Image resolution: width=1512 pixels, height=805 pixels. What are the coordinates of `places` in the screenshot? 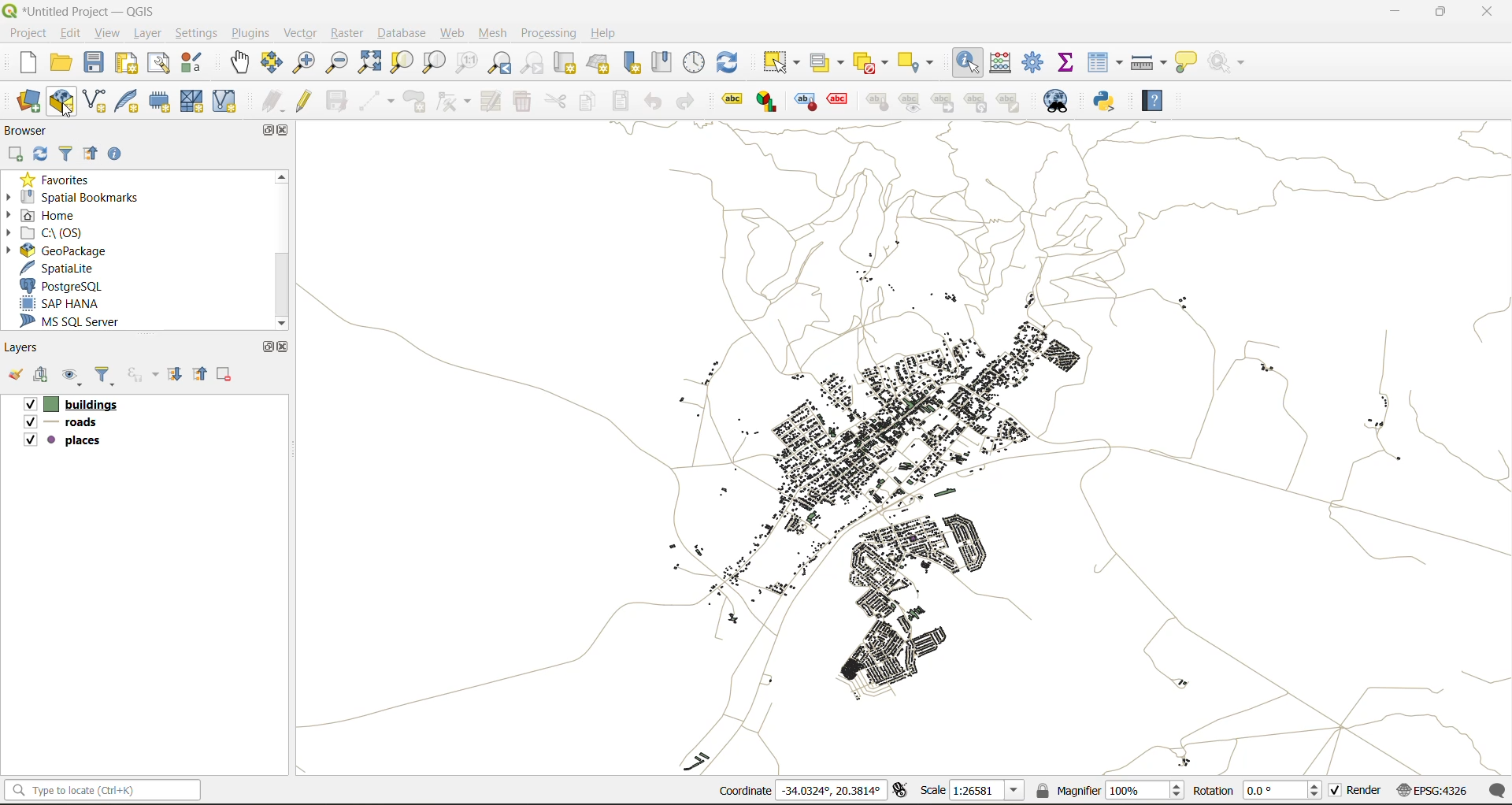 It's located at (63, 443).